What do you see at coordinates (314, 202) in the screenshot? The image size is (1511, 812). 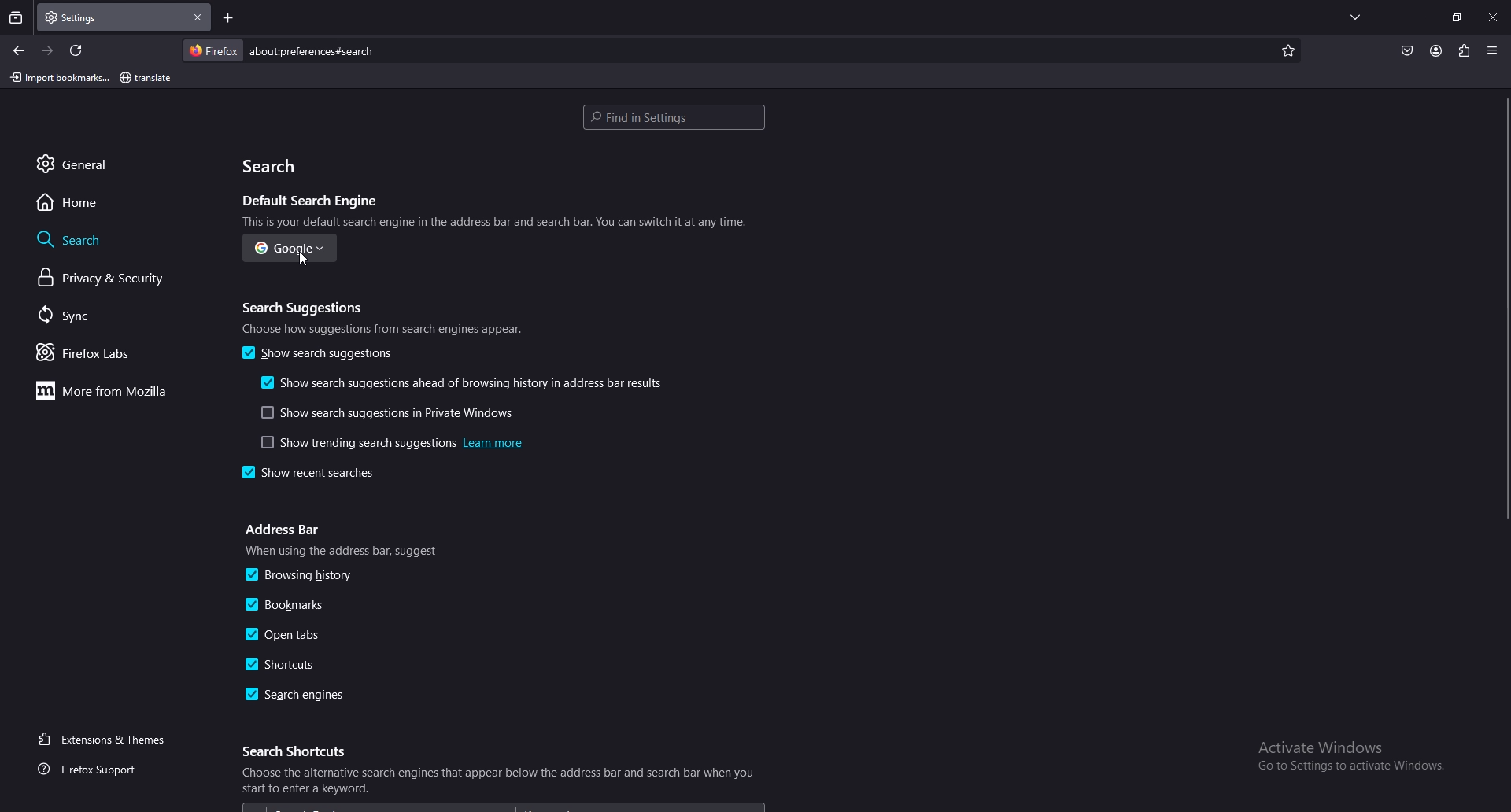 I see `default search engine` at bounding box center [314, 202].